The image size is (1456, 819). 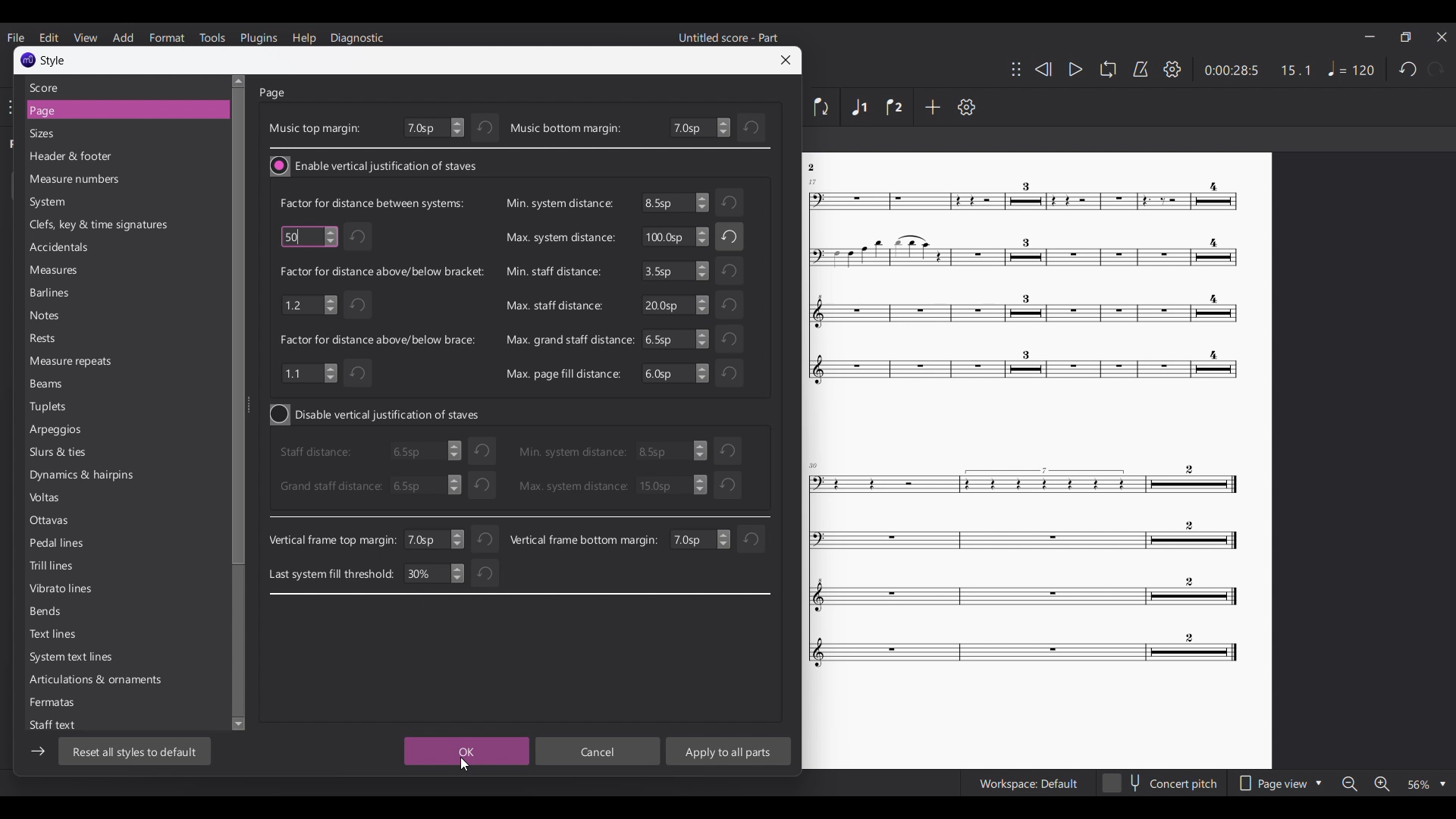 What do you see at coordinates (115, 133) in the screenshot?
I see `Sizes` at bounding box center [115, 133].